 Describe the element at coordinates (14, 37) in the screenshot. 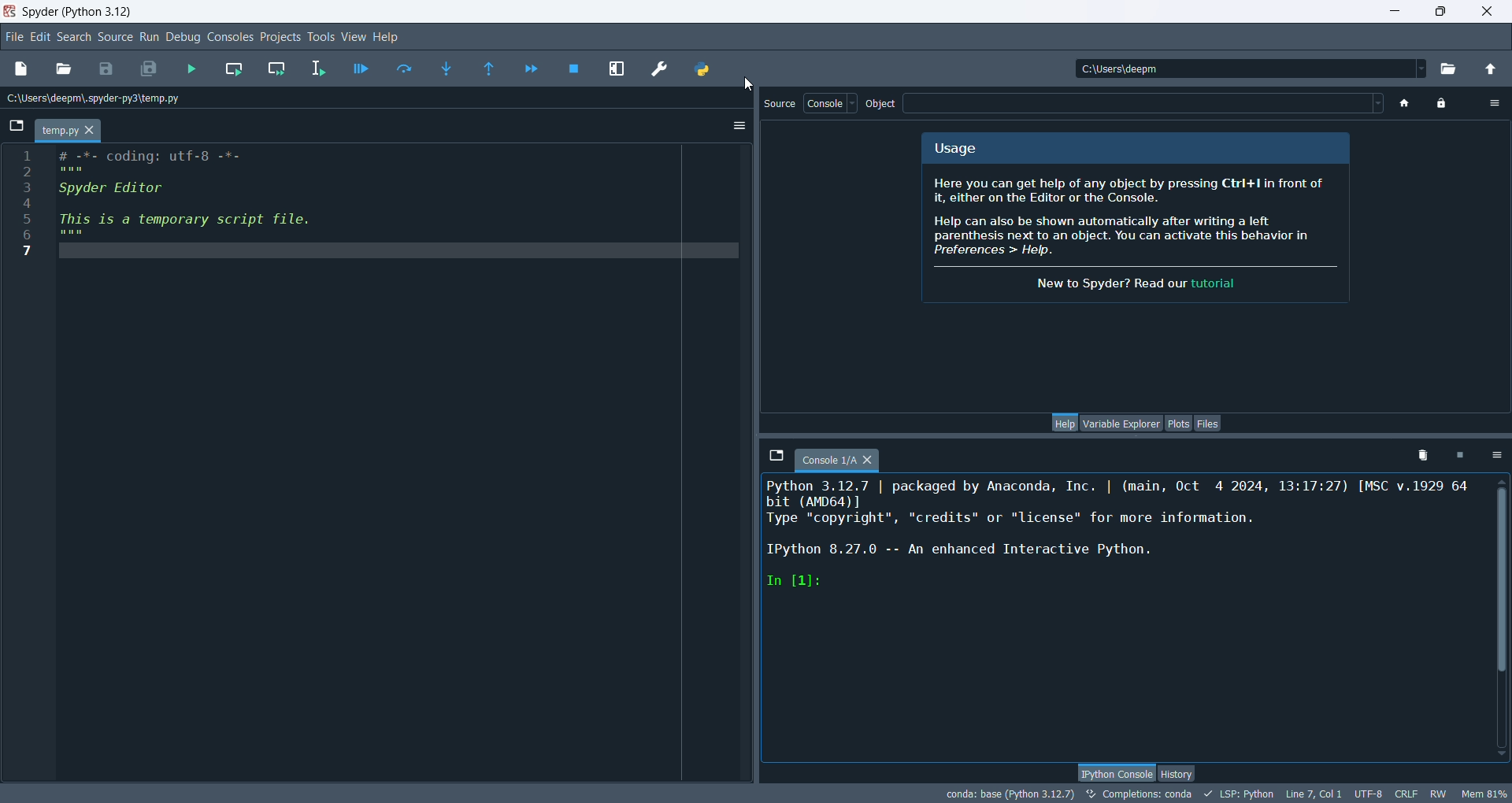

I see `file` at that location.